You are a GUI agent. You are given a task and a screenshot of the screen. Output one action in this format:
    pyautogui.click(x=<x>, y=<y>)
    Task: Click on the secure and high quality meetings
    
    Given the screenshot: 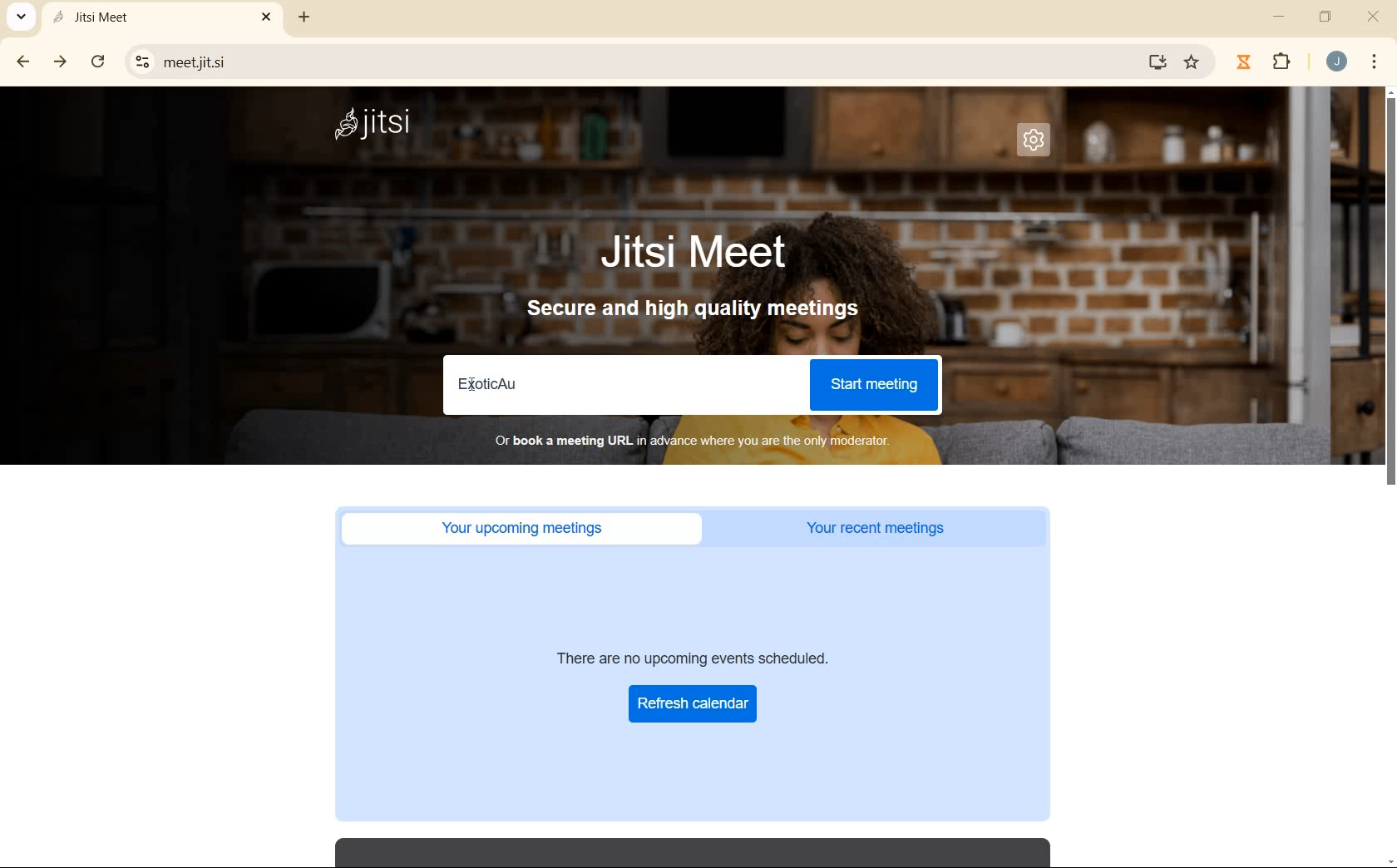 What is the action you would take?
    pyautogui.click(x=705, y=311)
    